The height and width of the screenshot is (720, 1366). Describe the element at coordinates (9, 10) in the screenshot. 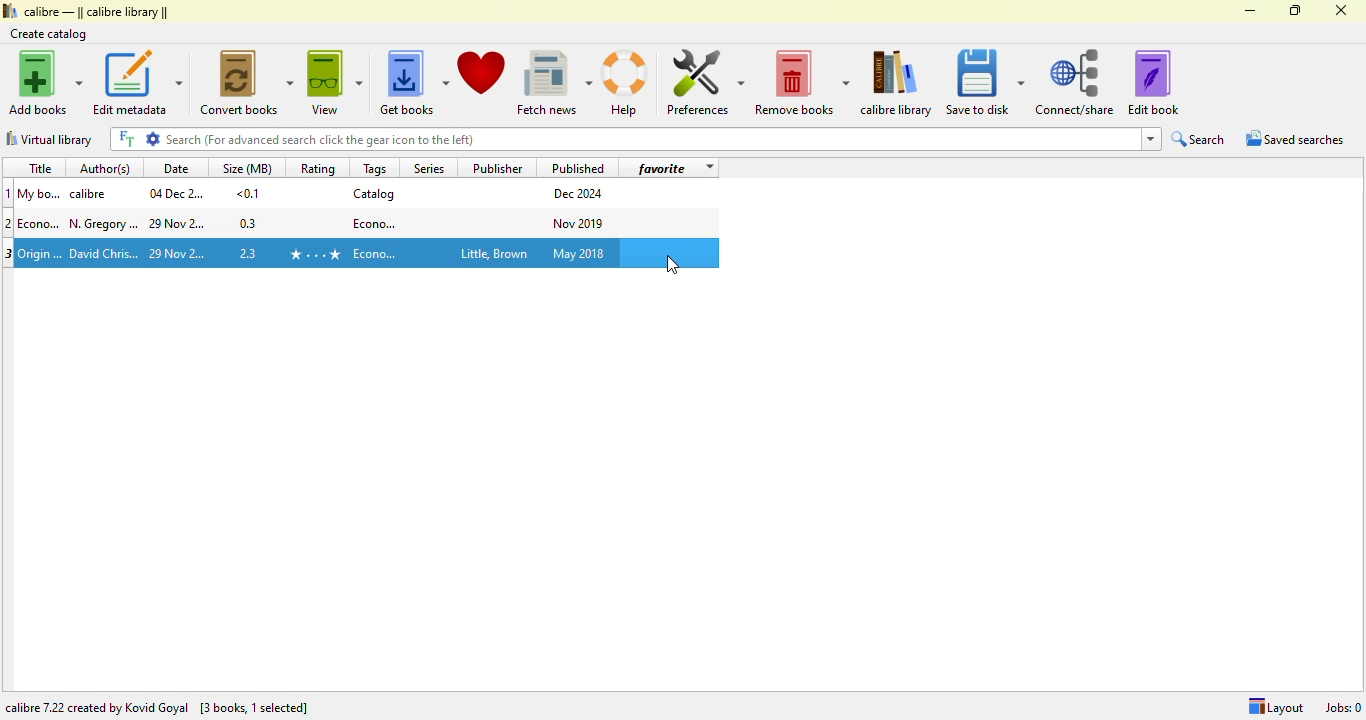

I see `logo` at that location.